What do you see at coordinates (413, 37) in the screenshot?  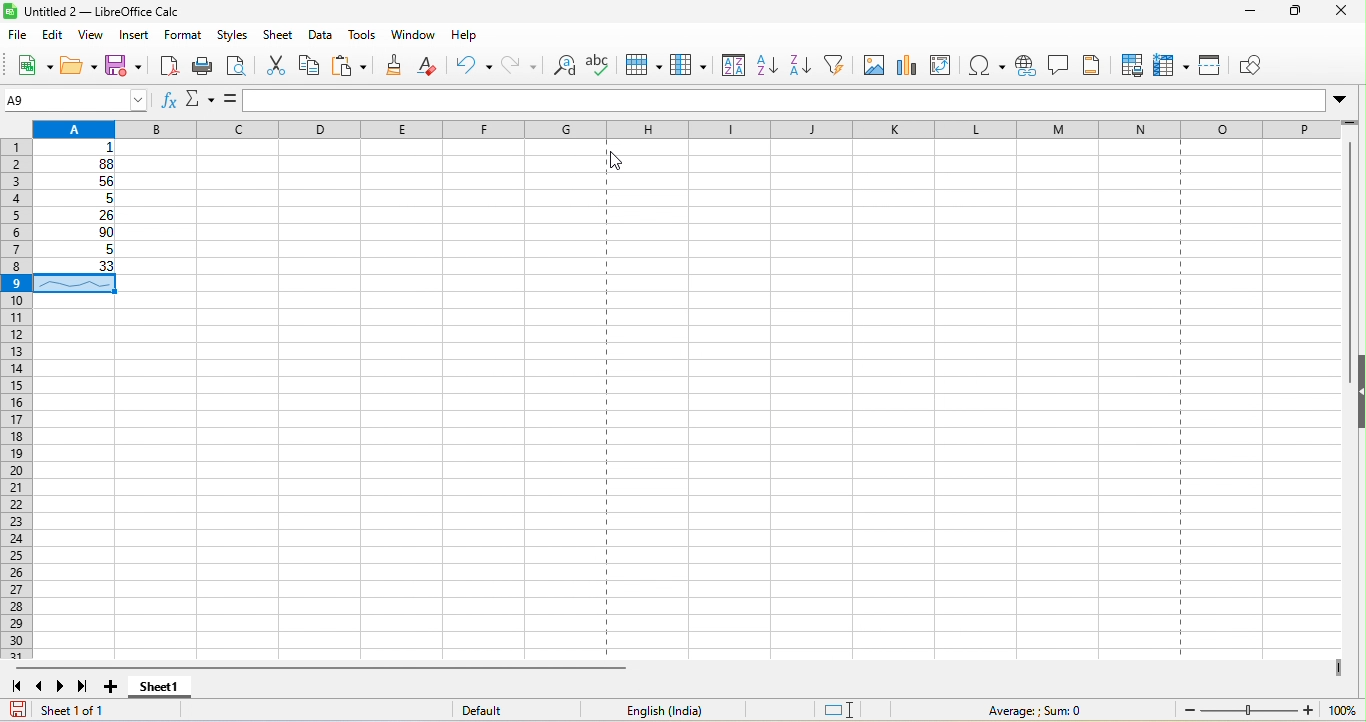 I see `window` at bounding box center [413, 37].